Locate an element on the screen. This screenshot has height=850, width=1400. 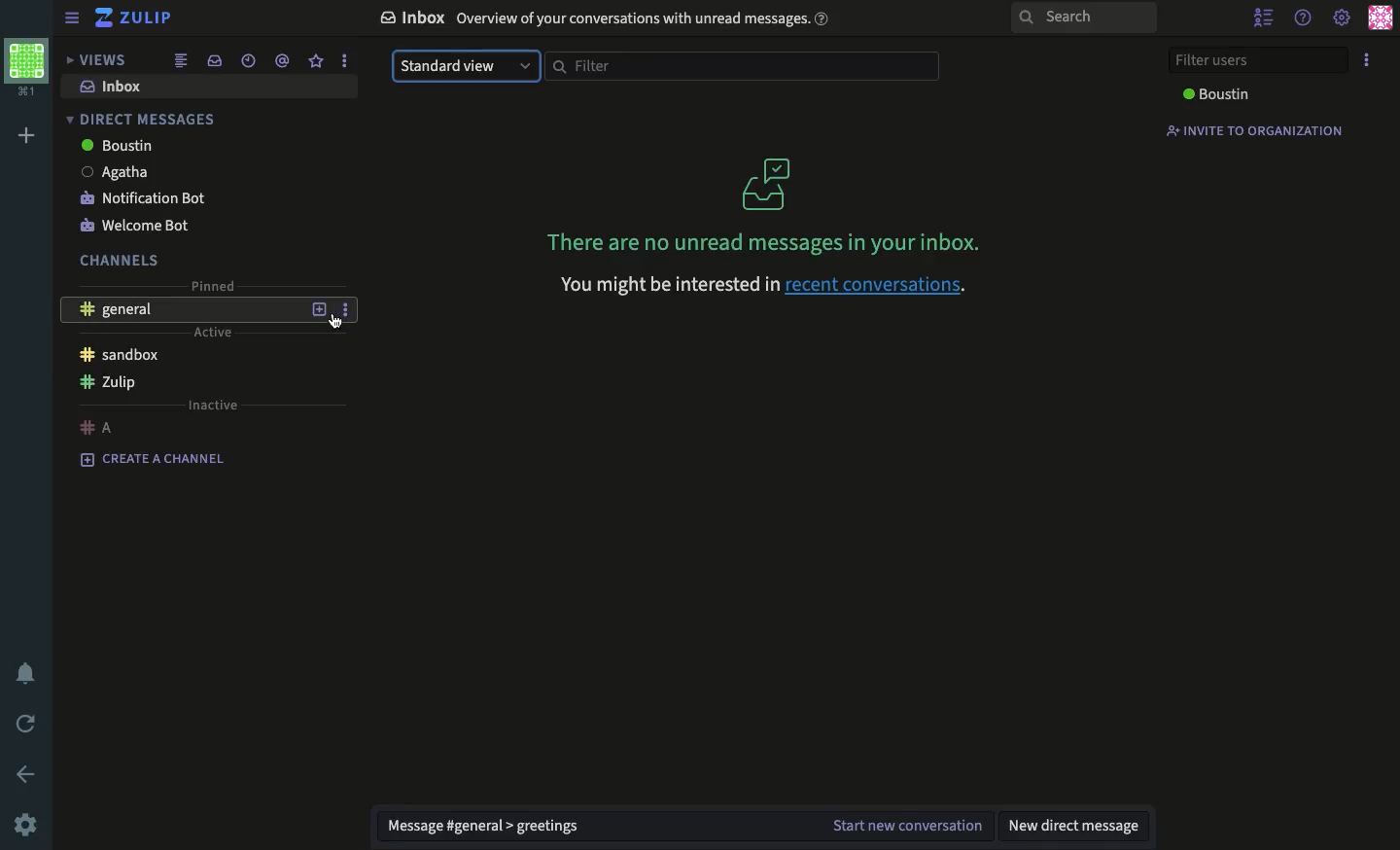
start new conversation is located at coordinates (909, 823).